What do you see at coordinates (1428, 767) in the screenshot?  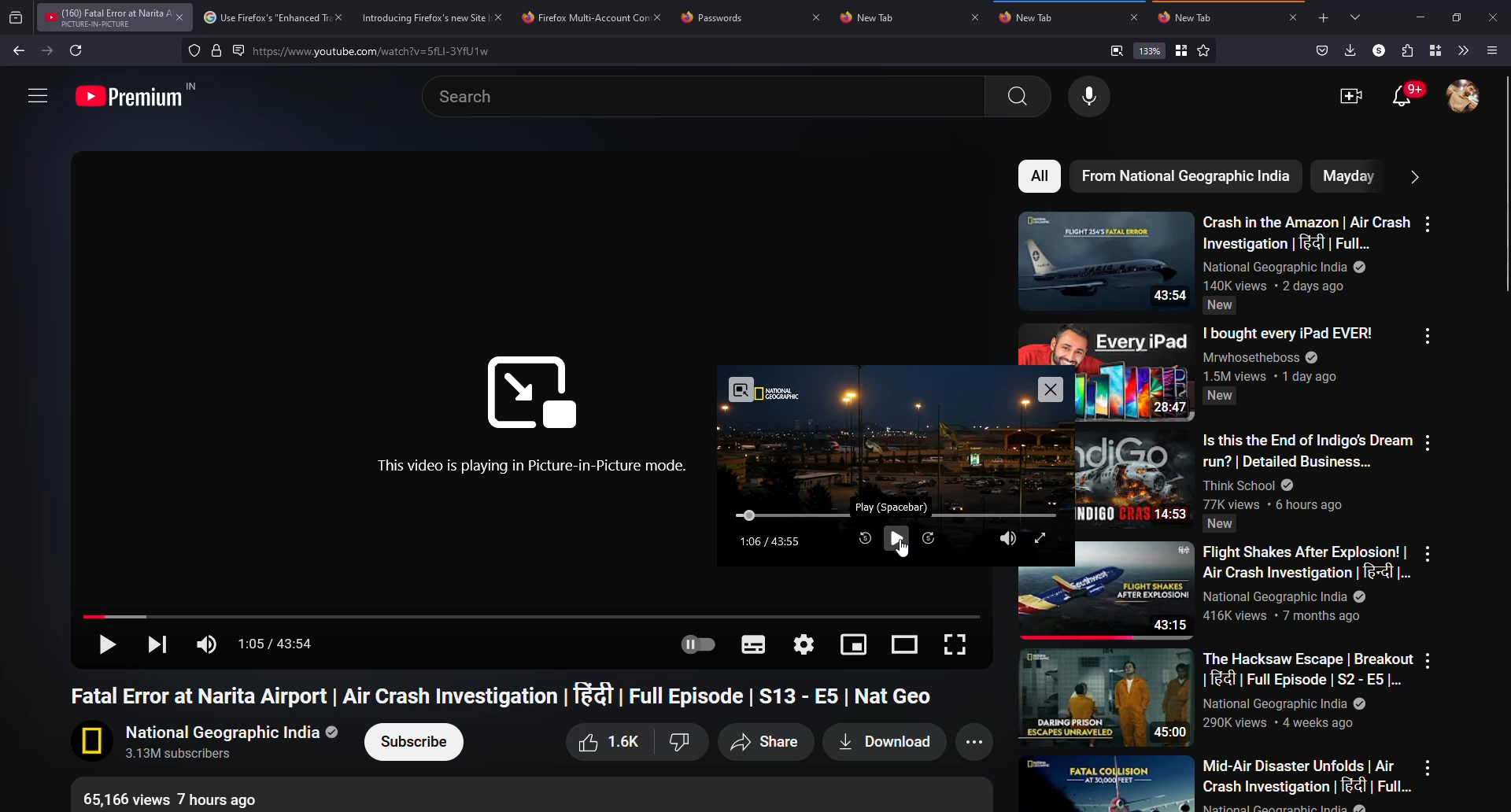 I see `more` at bounding box center [1428, 767].